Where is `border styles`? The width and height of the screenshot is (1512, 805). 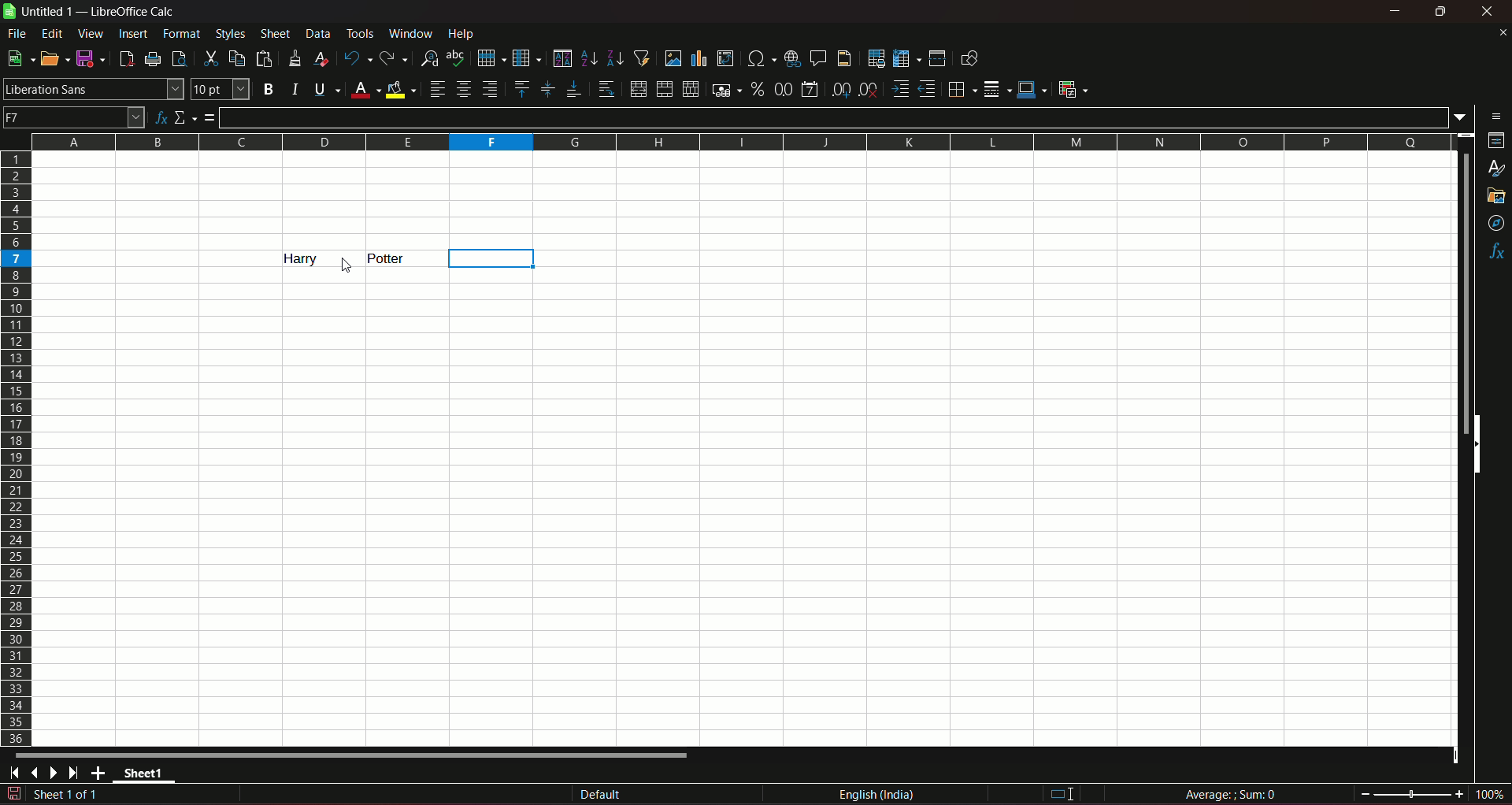
border styles is located at coordinates (995, 90).